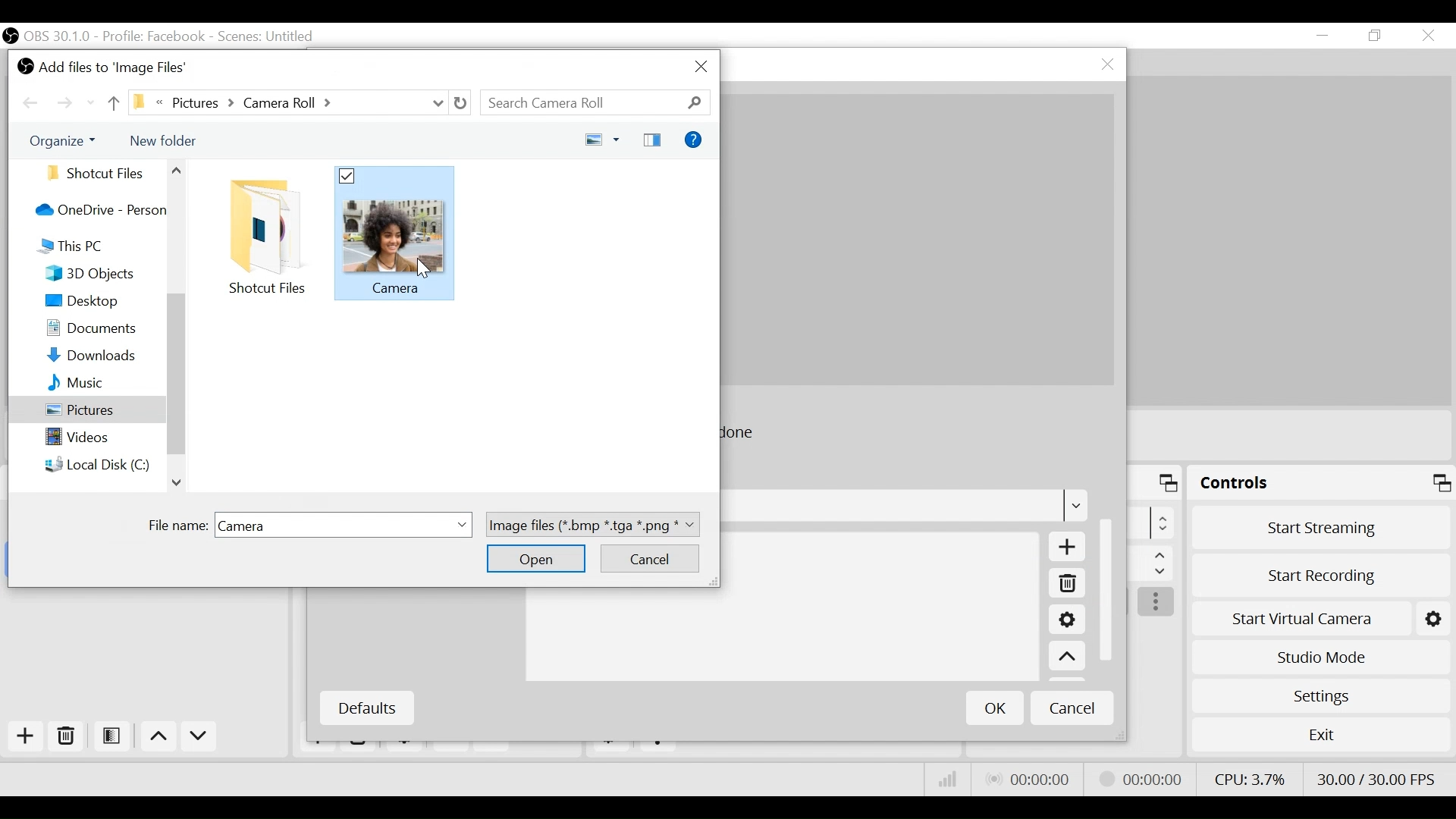 This screenshot has height=819, width=1456. What do you see at coordinates (394, 234) in the screenshot?
I see `File` at bounding box center [394, 234].